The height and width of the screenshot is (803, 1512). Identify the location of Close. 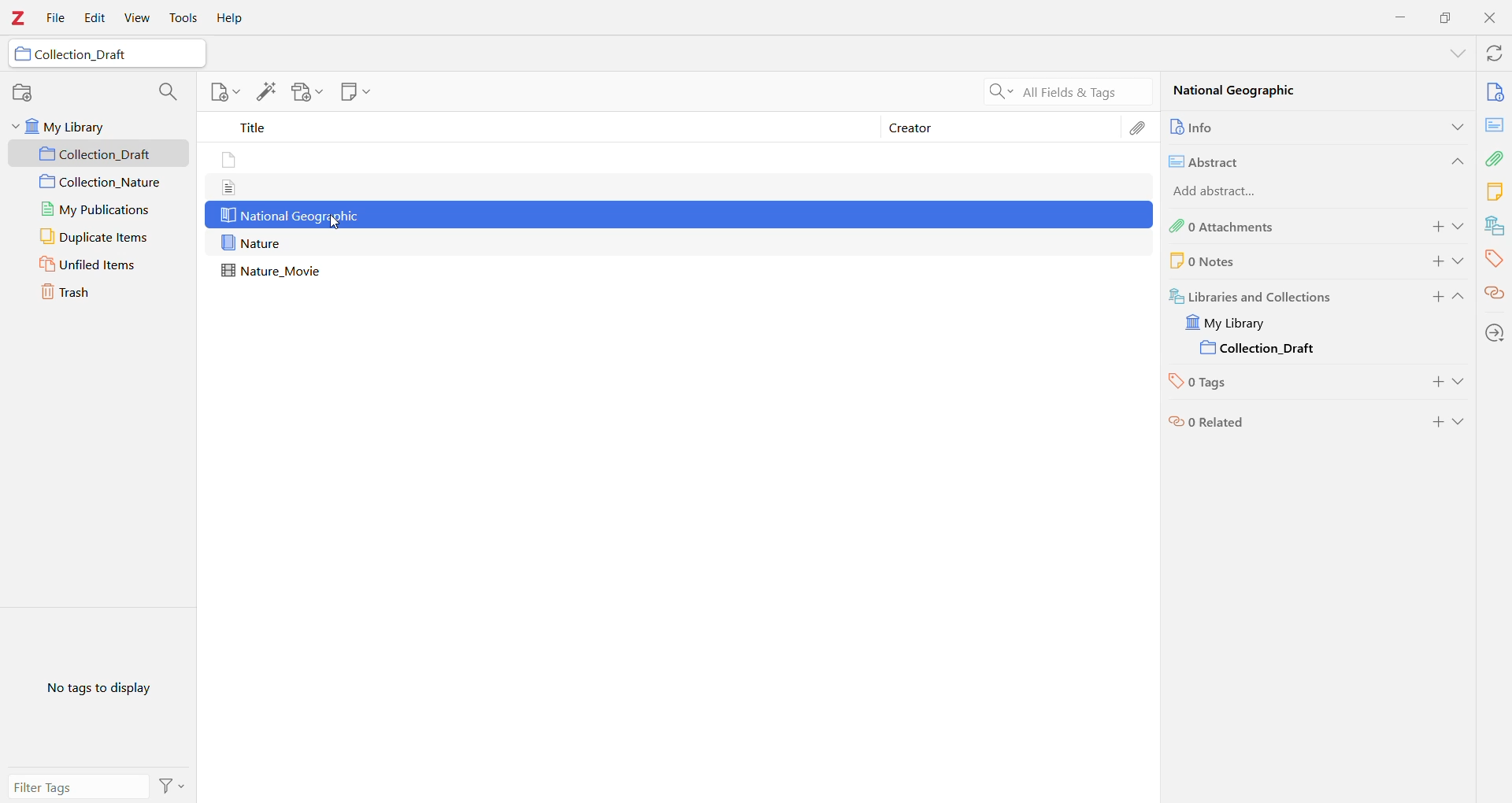
(1490, 18).